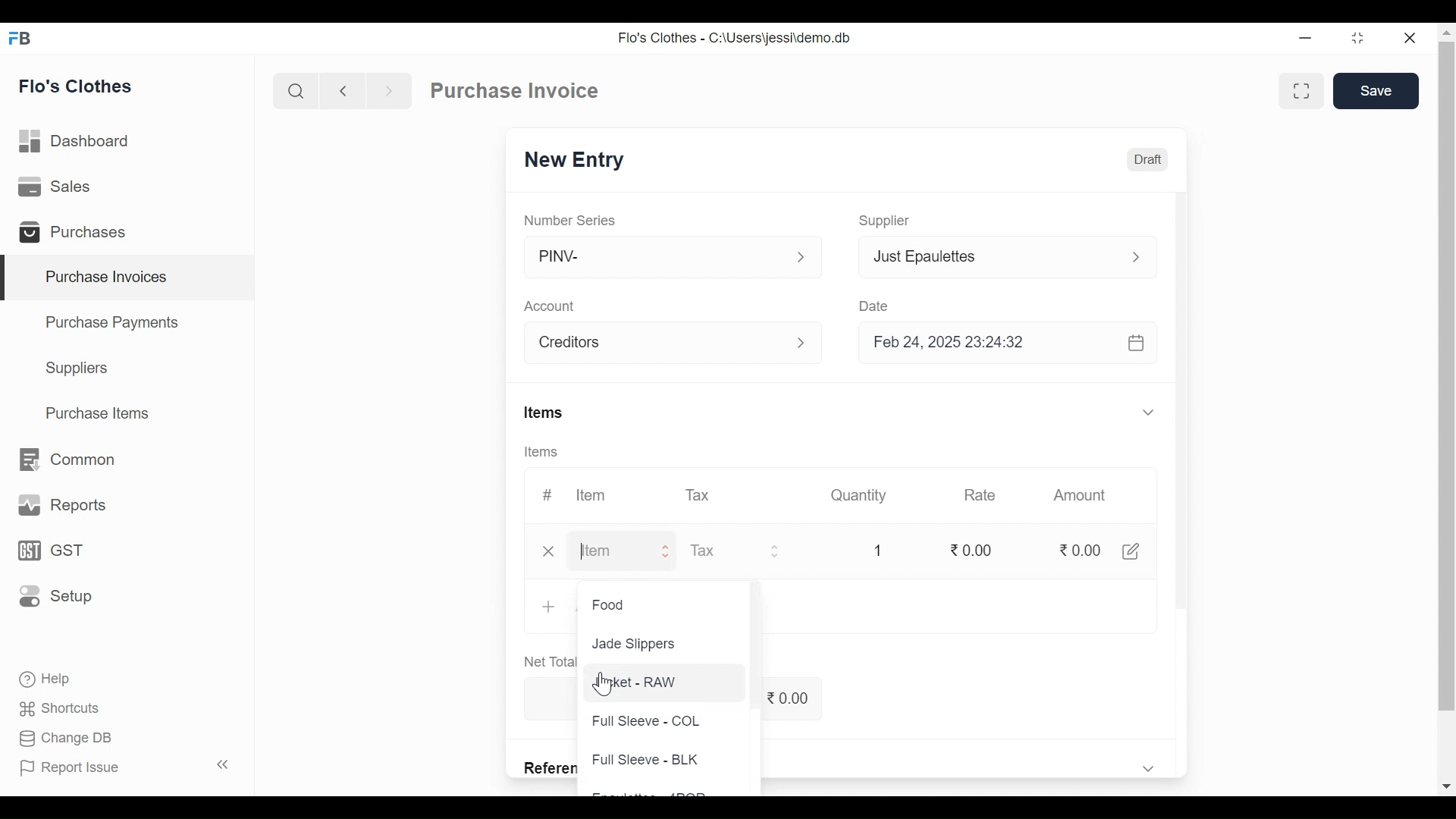 This screenshot has height=819, width=1456. What do you see at coordinates (737, 37) in the screenshot?
I see `Flo's Clothes - C:\Users\jessi\demo.db` at bounding box center [737, 37].